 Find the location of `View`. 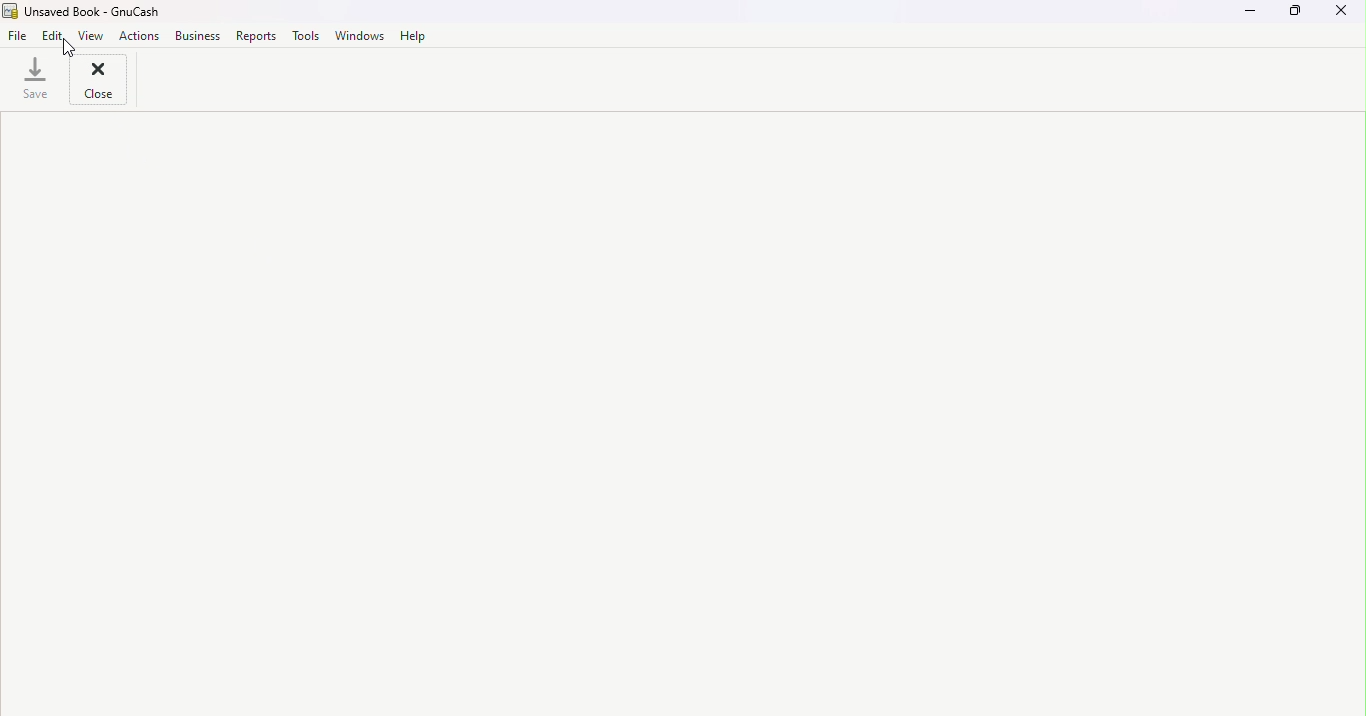

View is located at coordinates (96, 35).